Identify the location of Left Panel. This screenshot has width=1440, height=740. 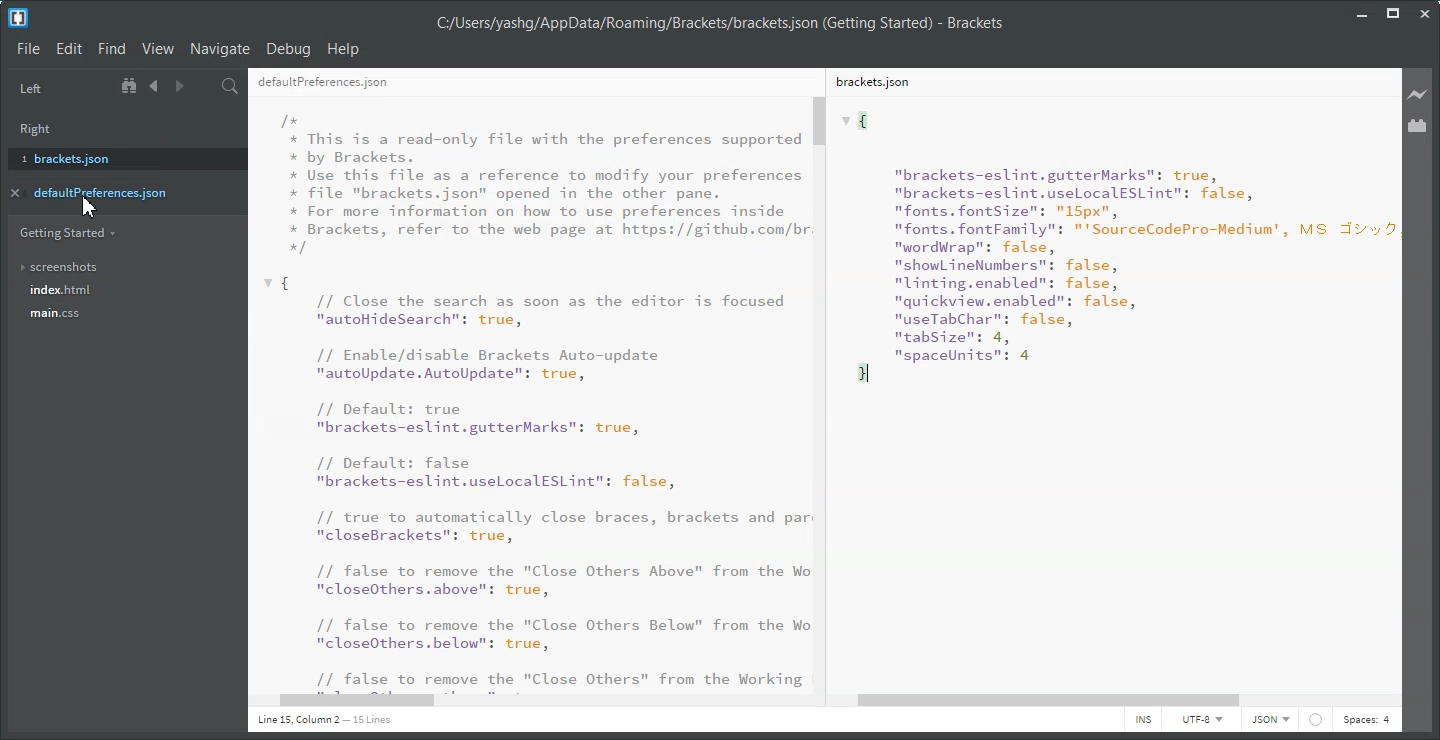
(30, 89).